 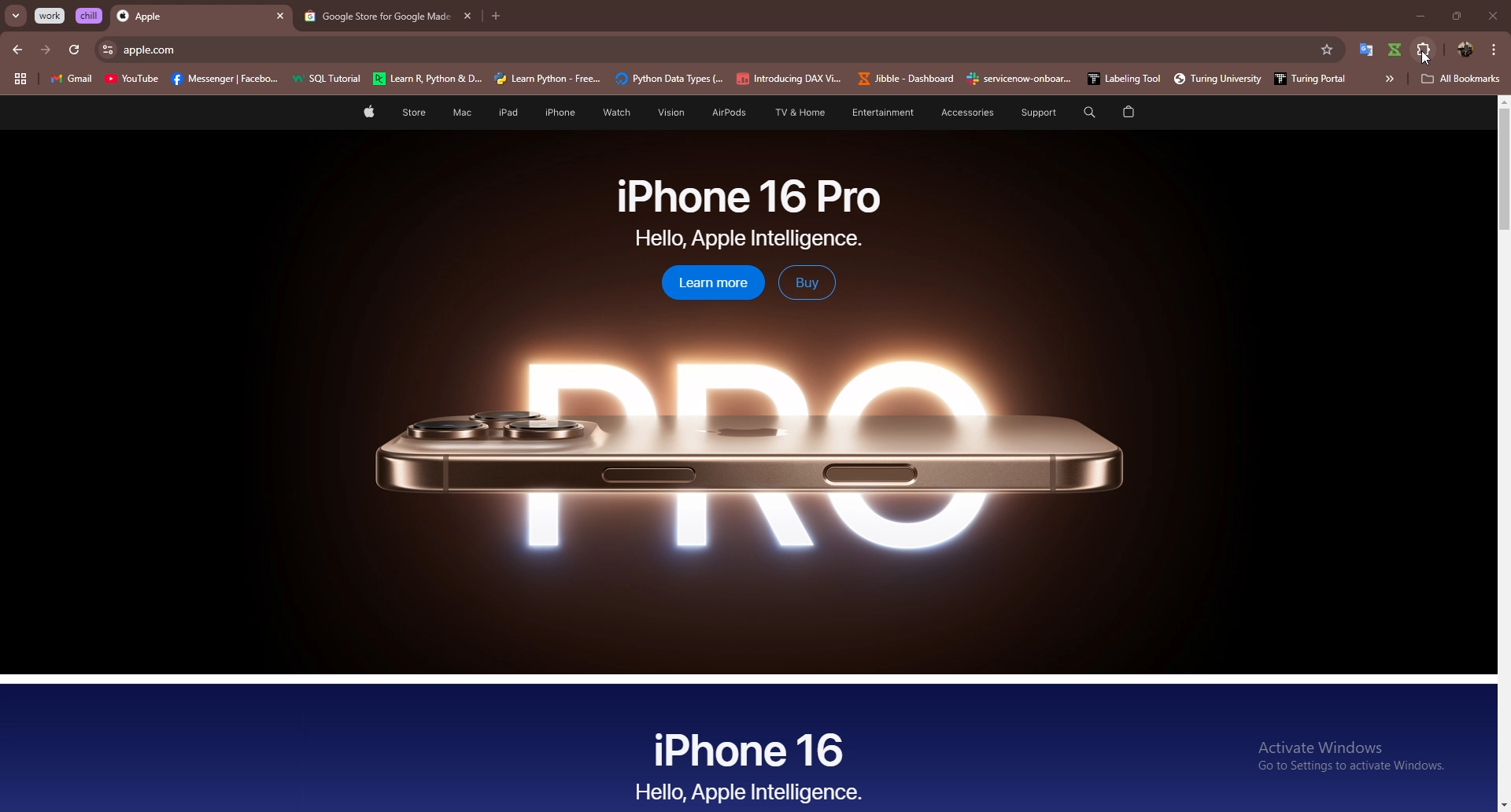 What do you see at coordinates (227, 79) in the screenshot?
I see `Messenger|Faceb` at bounding box center [227, 79].